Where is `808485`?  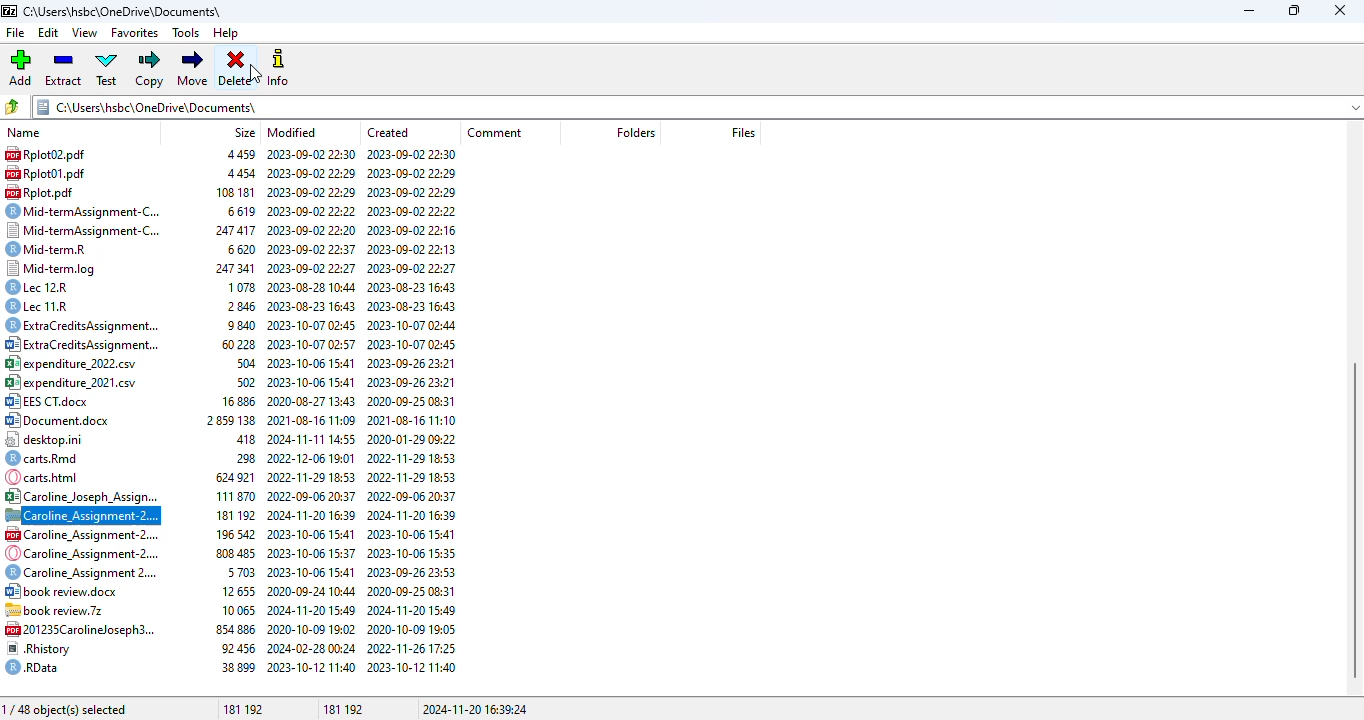 808485 is located at coordinates (234, 553).